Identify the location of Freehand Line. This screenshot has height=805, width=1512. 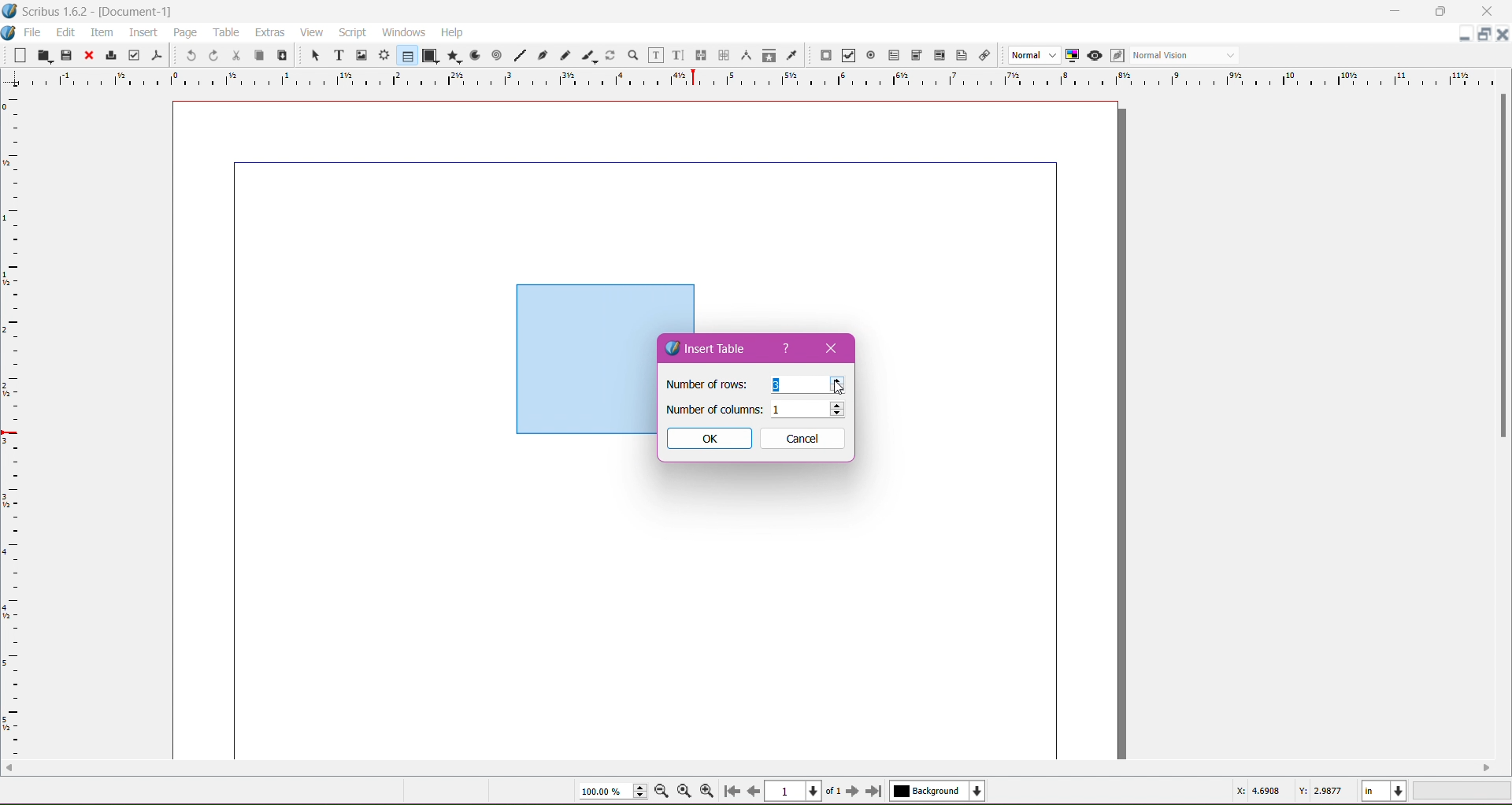
(565, 56).